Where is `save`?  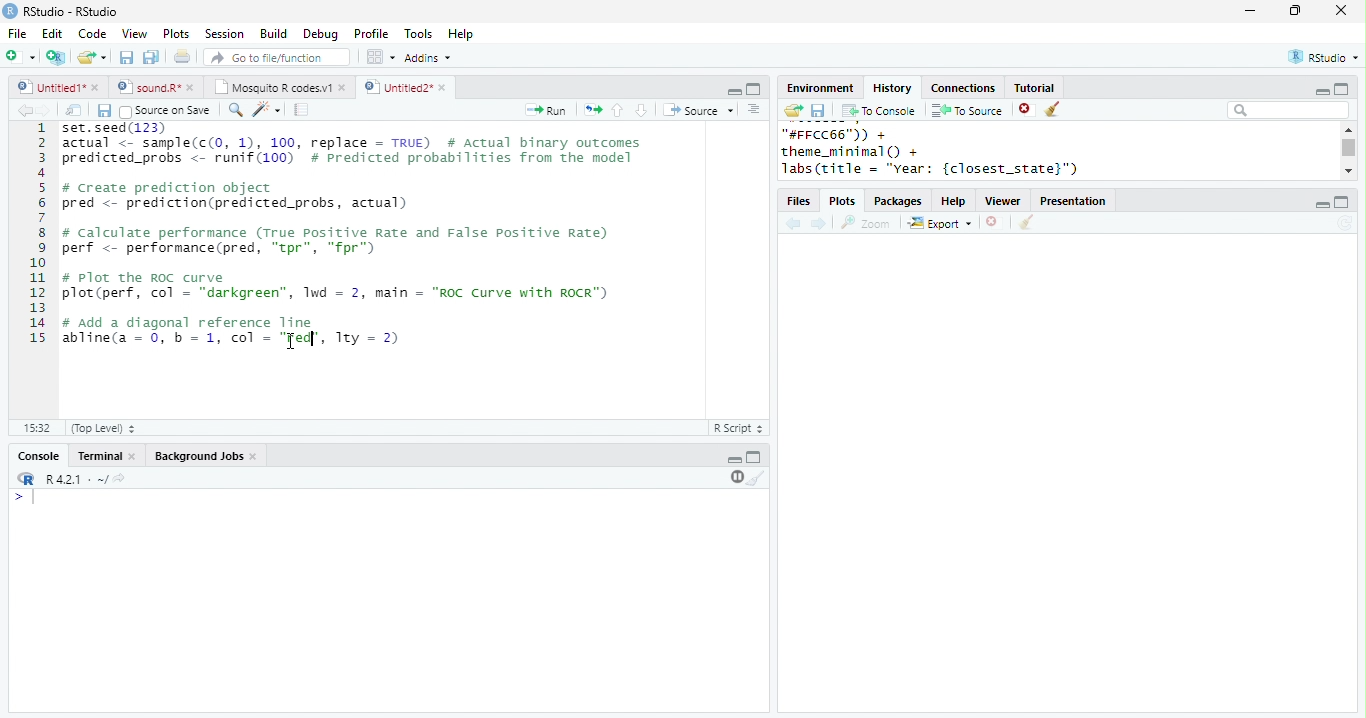 save is located at coordinates (104, 111).